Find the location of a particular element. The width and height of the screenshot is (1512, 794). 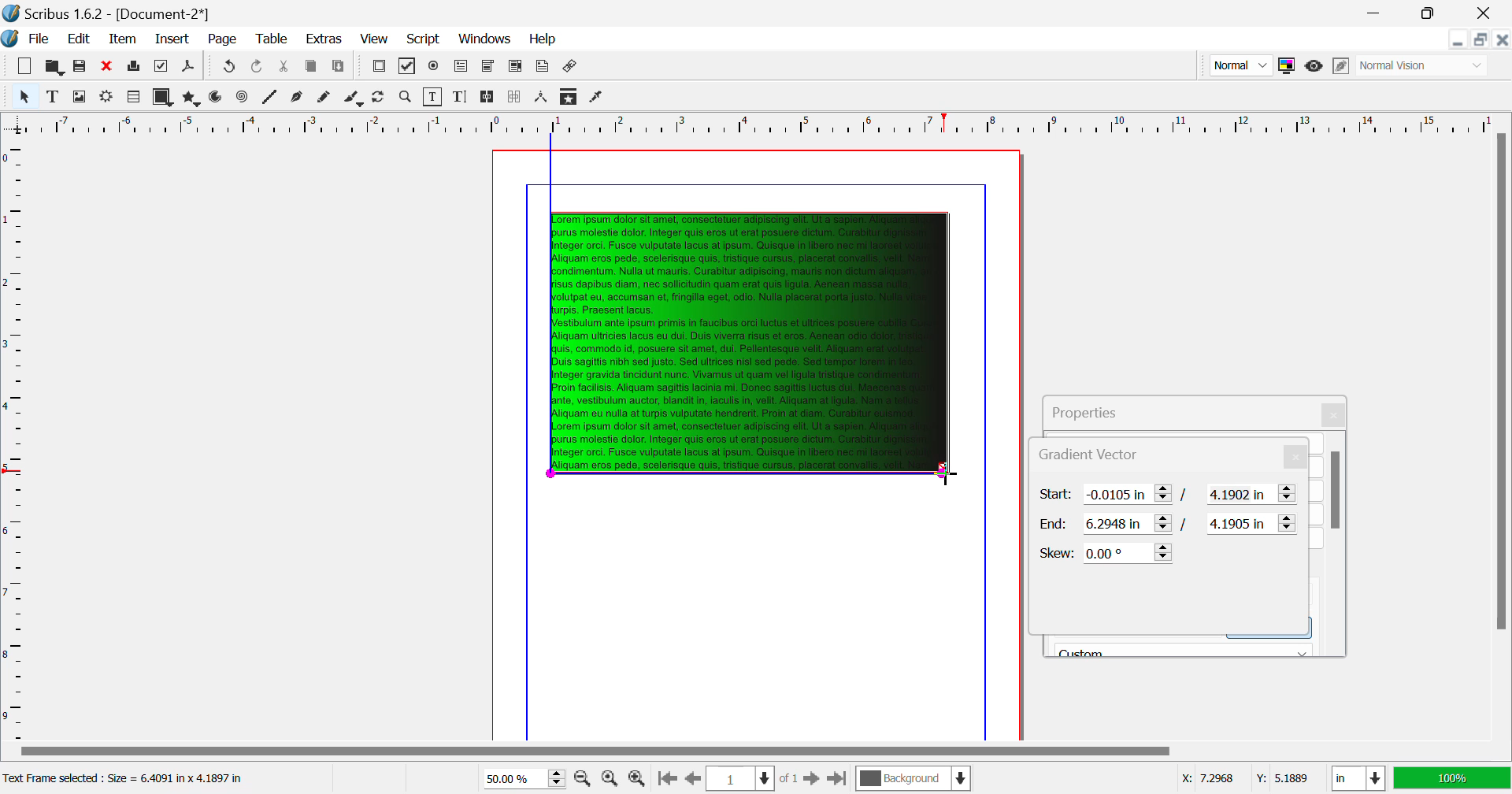

Undo is located at coordinates (259, 68).